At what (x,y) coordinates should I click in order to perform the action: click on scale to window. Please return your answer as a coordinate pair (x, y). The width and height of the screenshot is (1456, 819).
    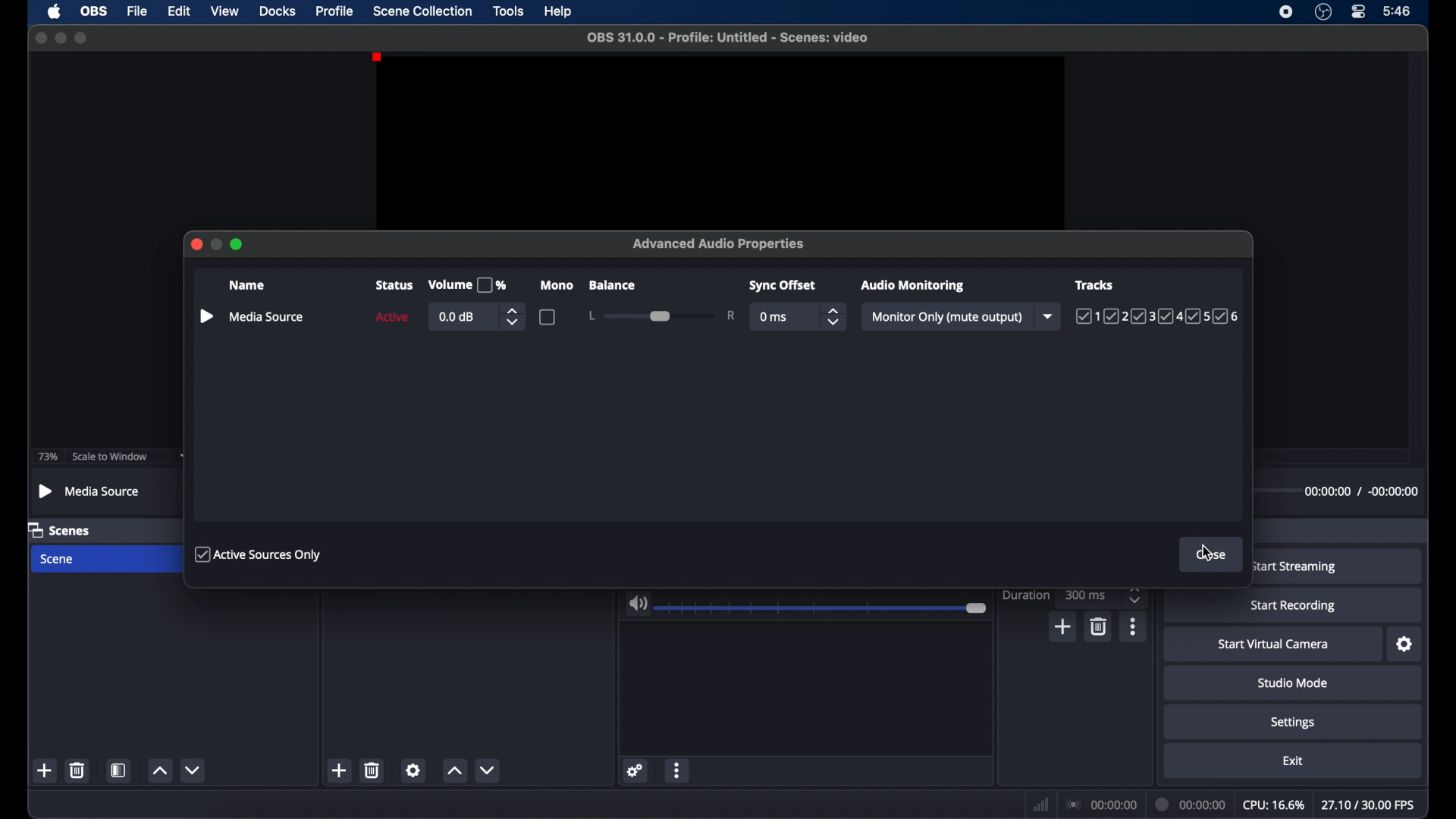
    Looking at the image, I should click on (108, 457).